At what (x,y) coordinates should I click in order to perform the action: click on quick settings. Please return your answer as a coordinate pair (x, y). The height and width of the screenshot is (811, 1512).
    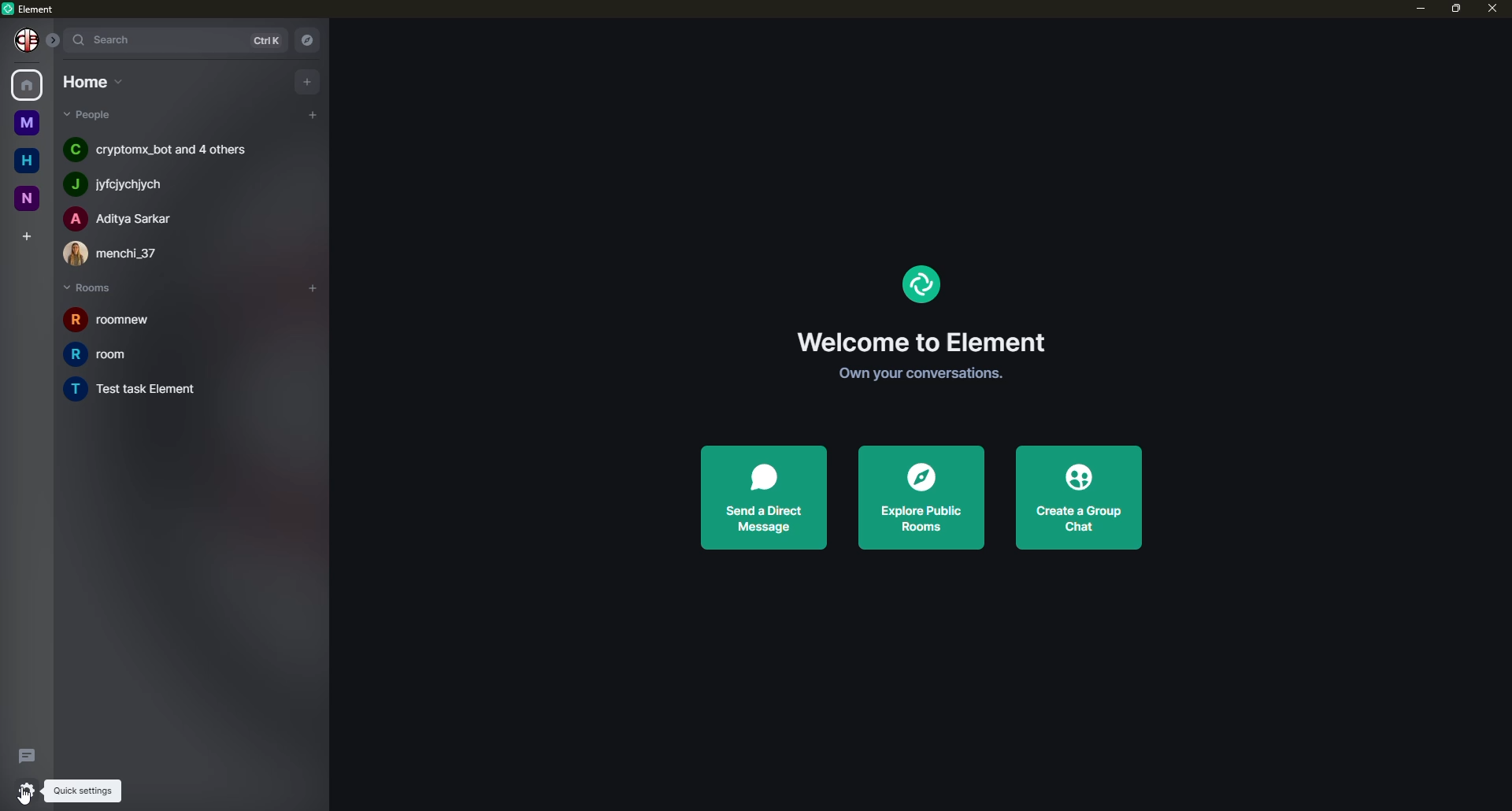
    Looking at the image, I should click on (25, 791).